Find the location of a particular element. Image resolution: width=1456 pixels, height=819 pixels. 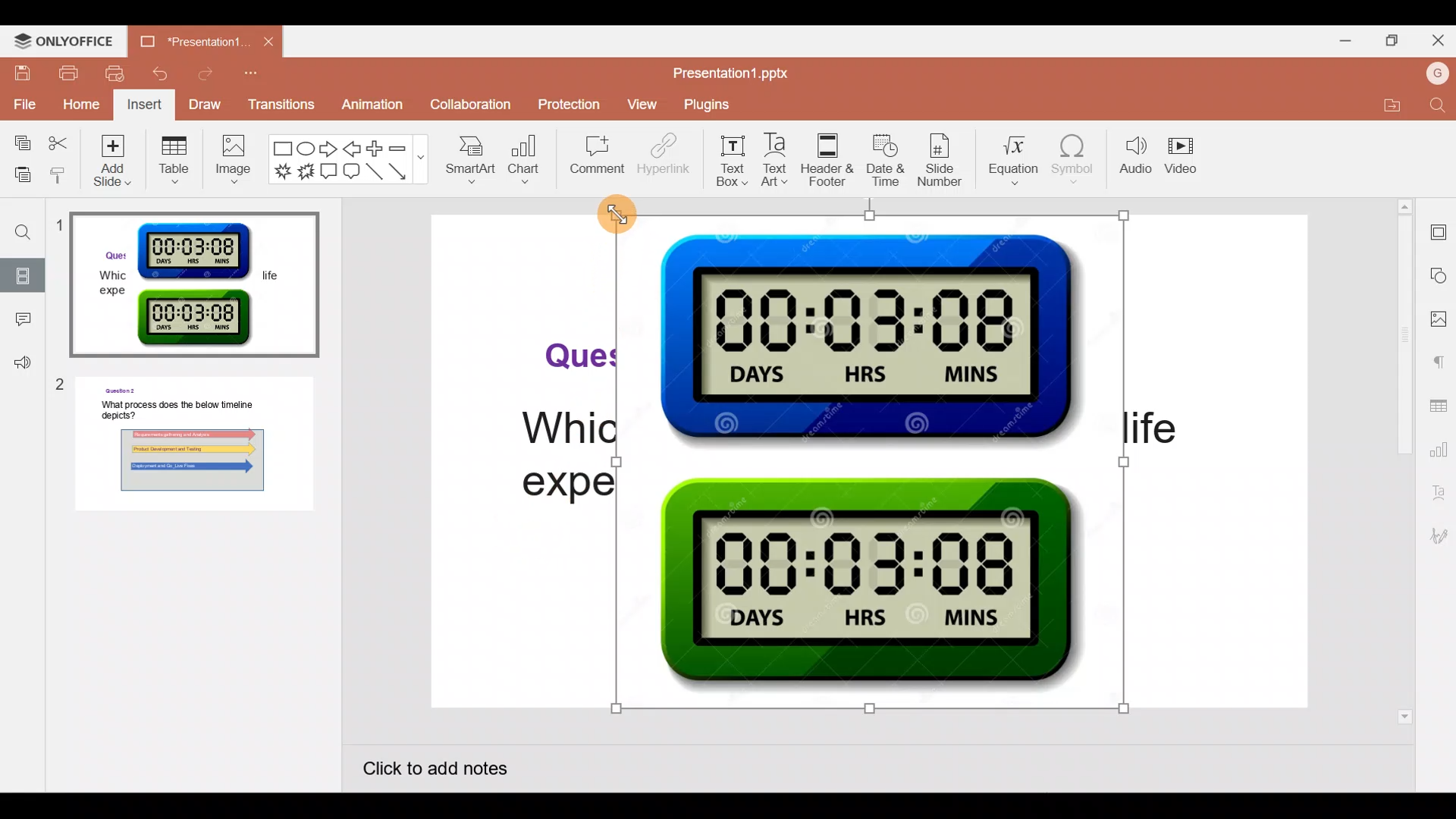

Header & footer is located at coordinates (827, 155).